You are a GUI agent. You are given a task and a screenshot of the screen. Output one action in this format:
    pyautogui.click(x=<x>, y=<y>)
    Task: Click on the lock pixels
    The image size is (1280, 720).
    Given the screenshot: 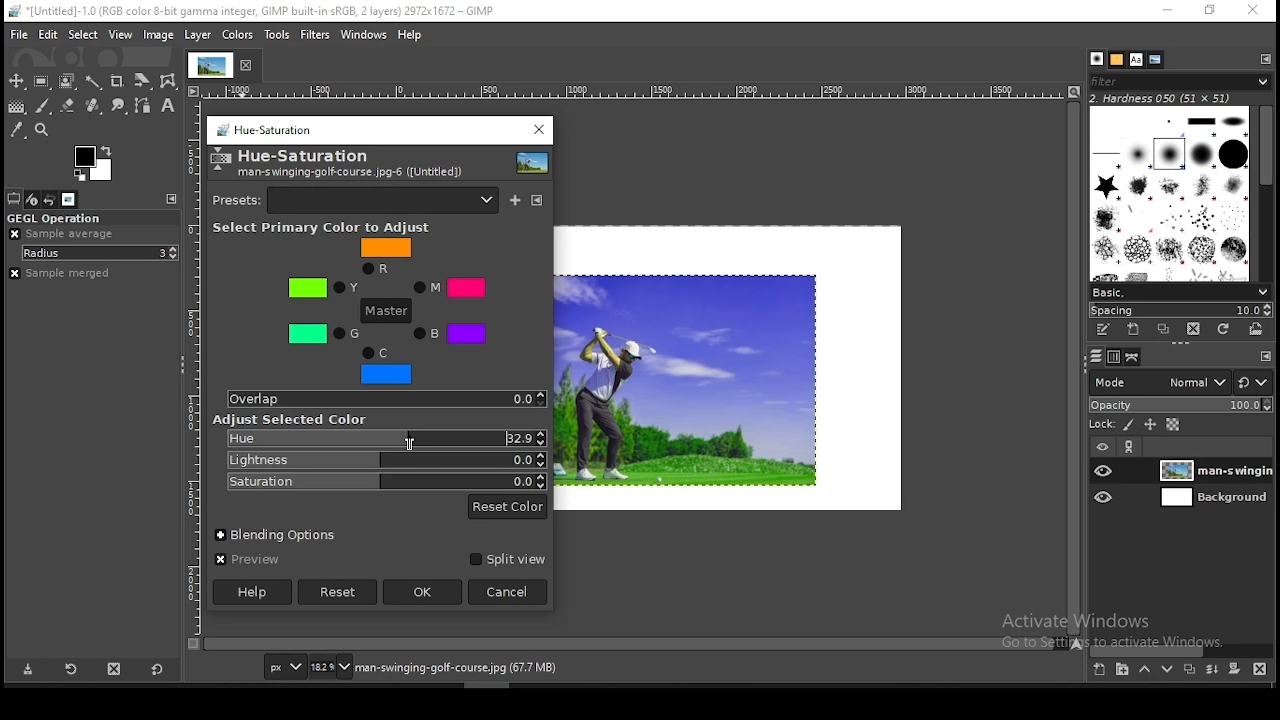 What is the action you would take?
    pyautogui.click(x=1128, y=425)
    